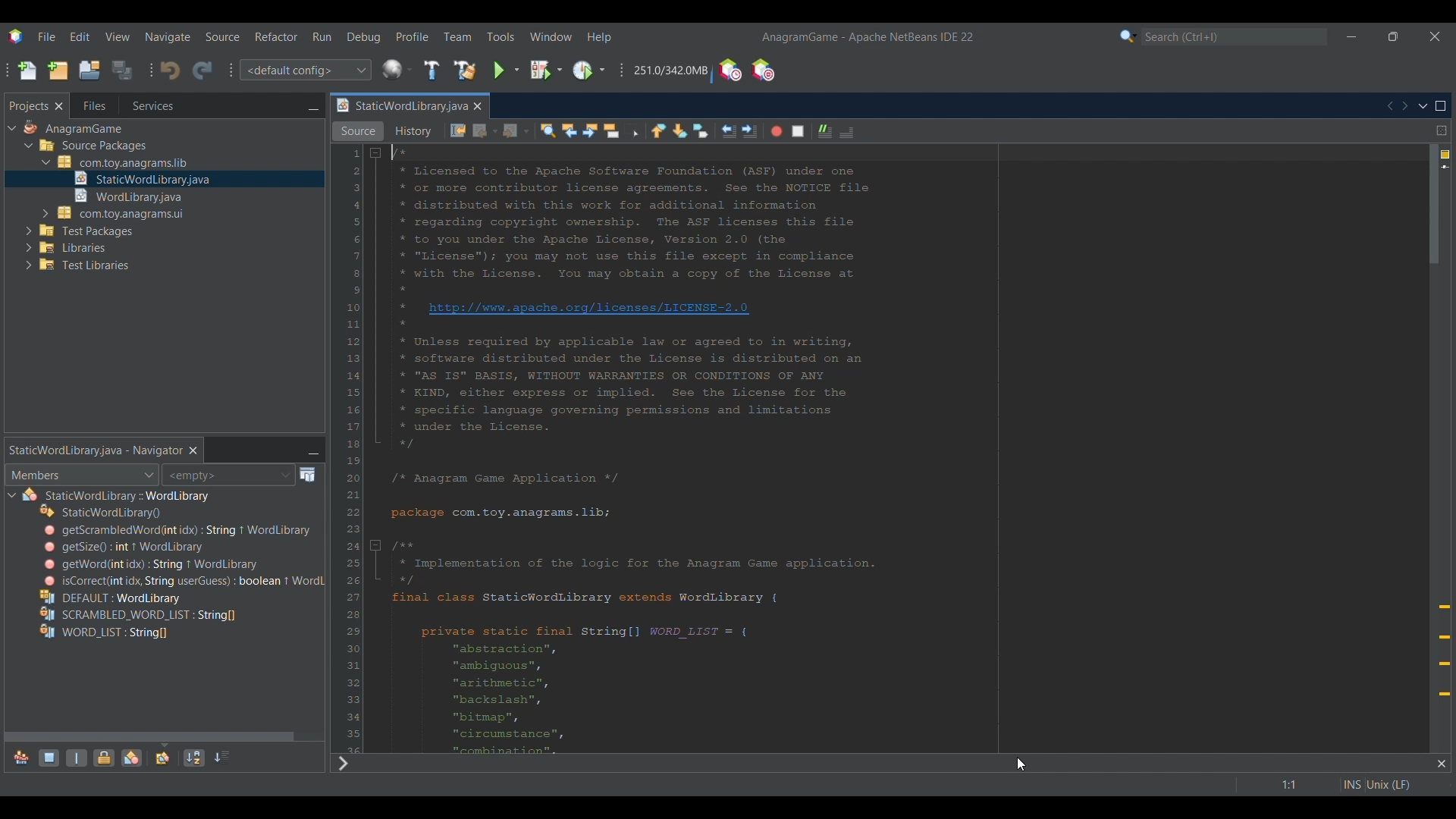 This screenshot has height=819, width=1456. Describe the element at coordinates (680, 131) in the screenshot. I see `Next bookmark` at that location.